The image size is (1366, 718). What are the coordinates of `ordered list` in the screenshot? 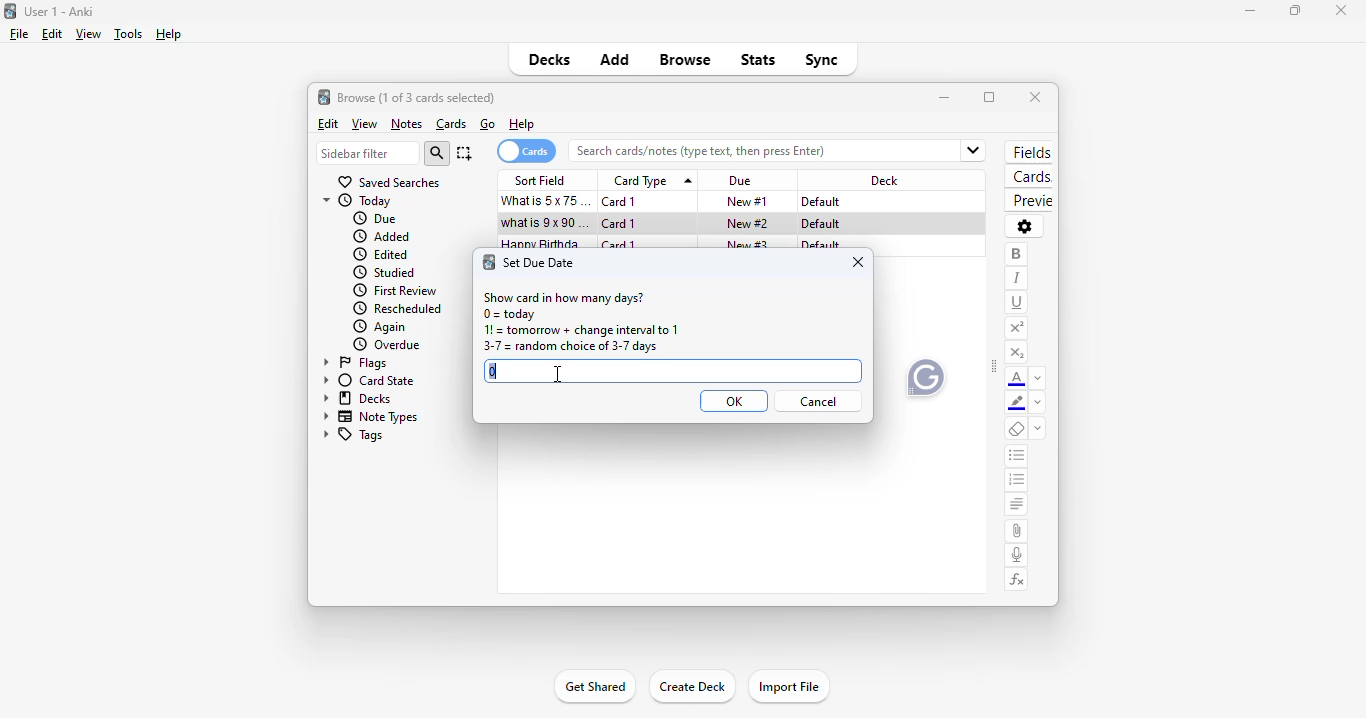 It's located at (1018, 480).